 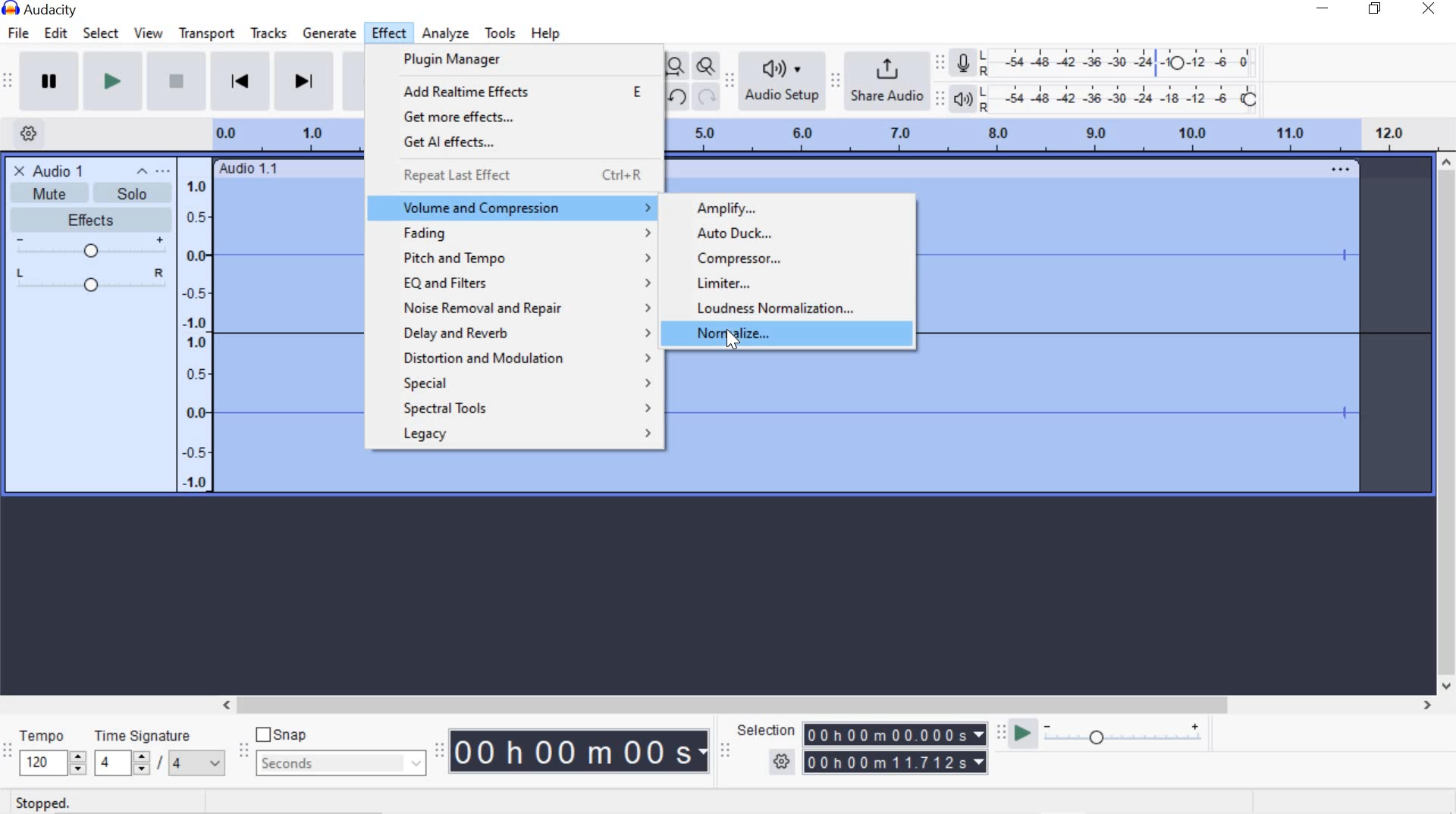 What do you see at coordinates (446, 33) in the screenshot?
I see `analyze` at bounding box center [446, 33].